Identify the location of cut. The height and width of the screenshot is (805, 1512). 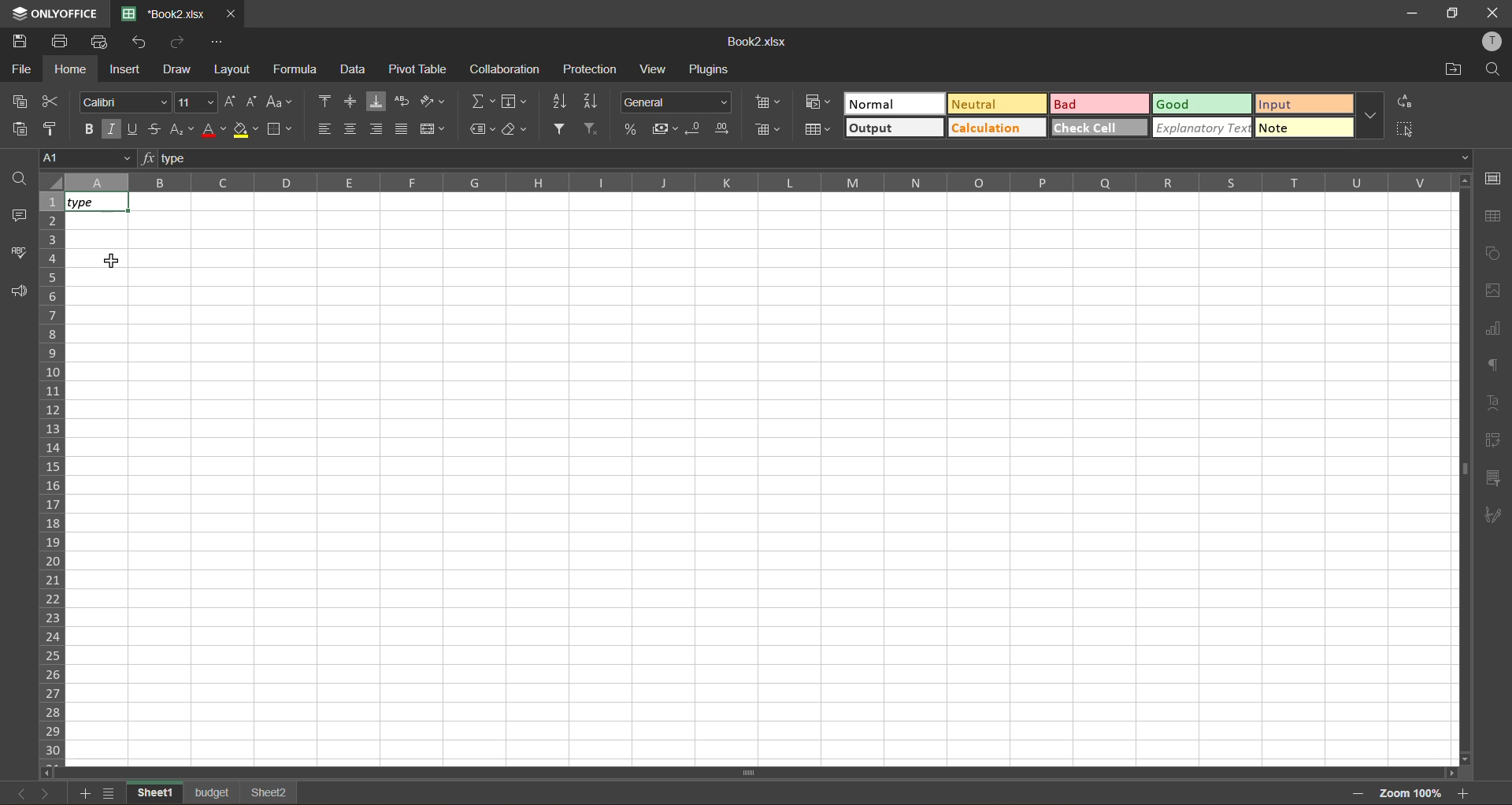
(50, 98).